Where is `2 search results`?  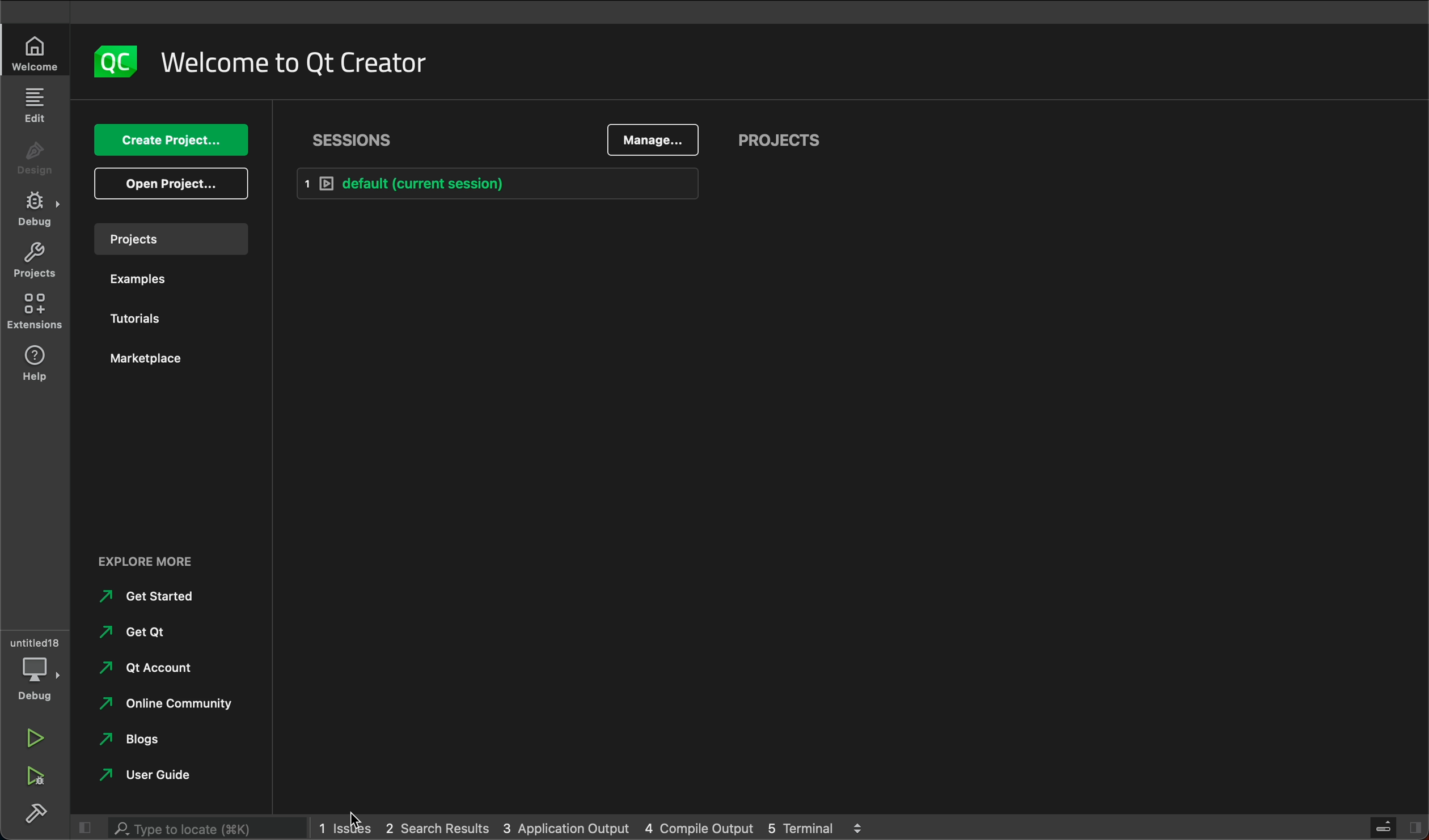 2 search results is located at coordinates (436, 824).